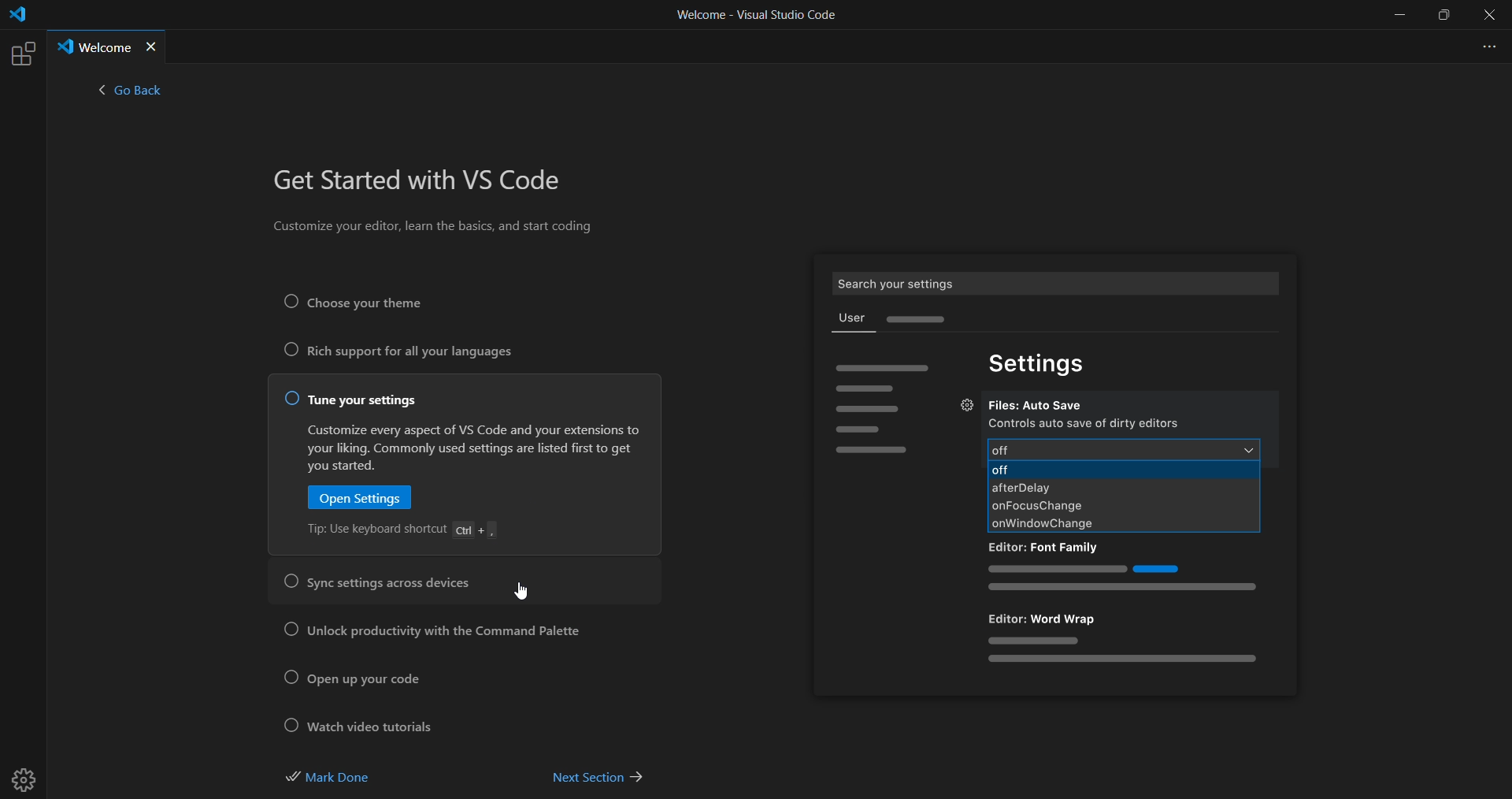 This screenshot has width=1512, height=799. Describe the element at coordinates (405, 532) in the screenshot. I see `tip: Use keyboard shortcut Ctrl + ,` at that location.